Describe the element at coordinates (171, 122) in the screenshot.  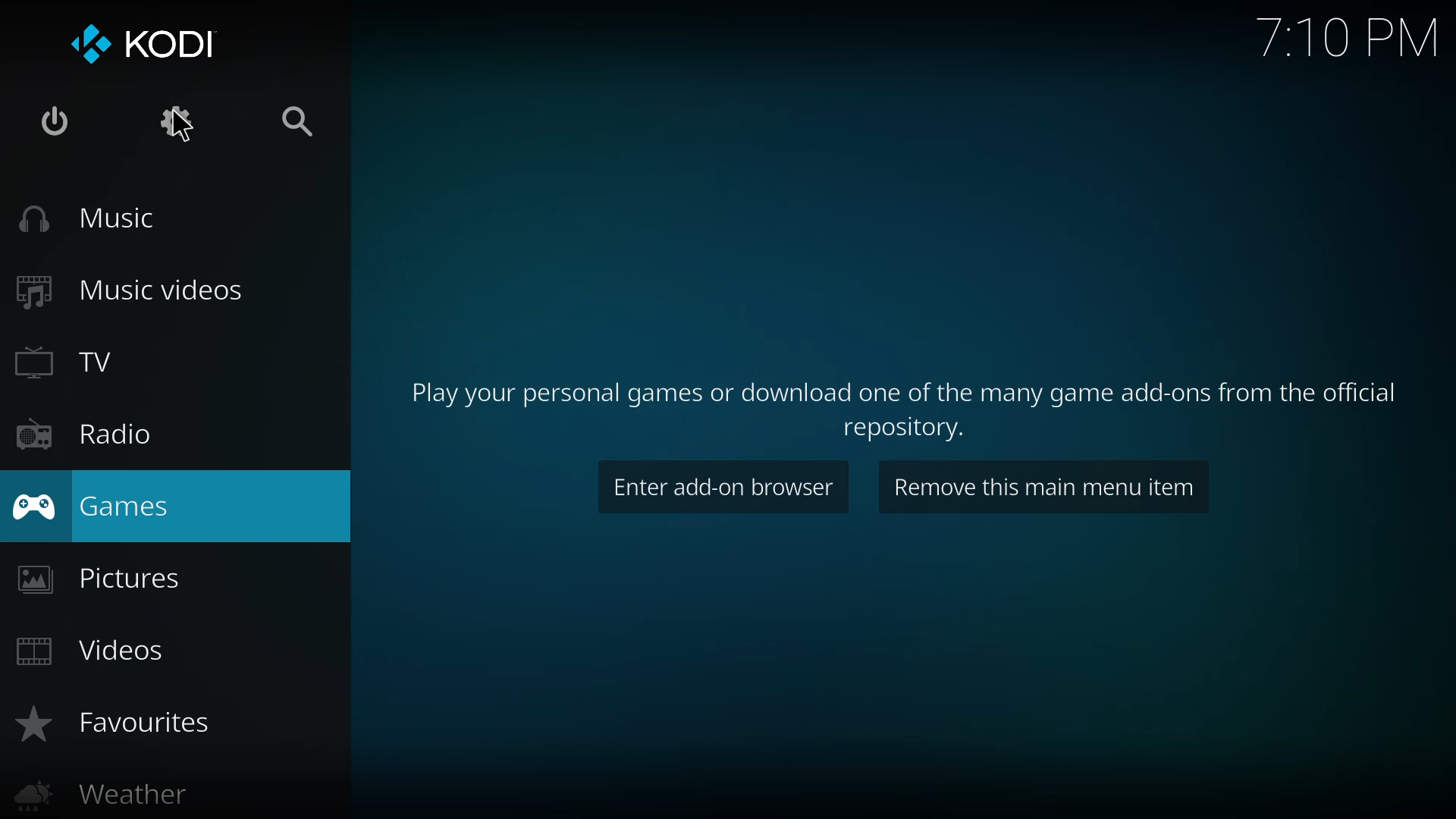
I see `settings` at that location.